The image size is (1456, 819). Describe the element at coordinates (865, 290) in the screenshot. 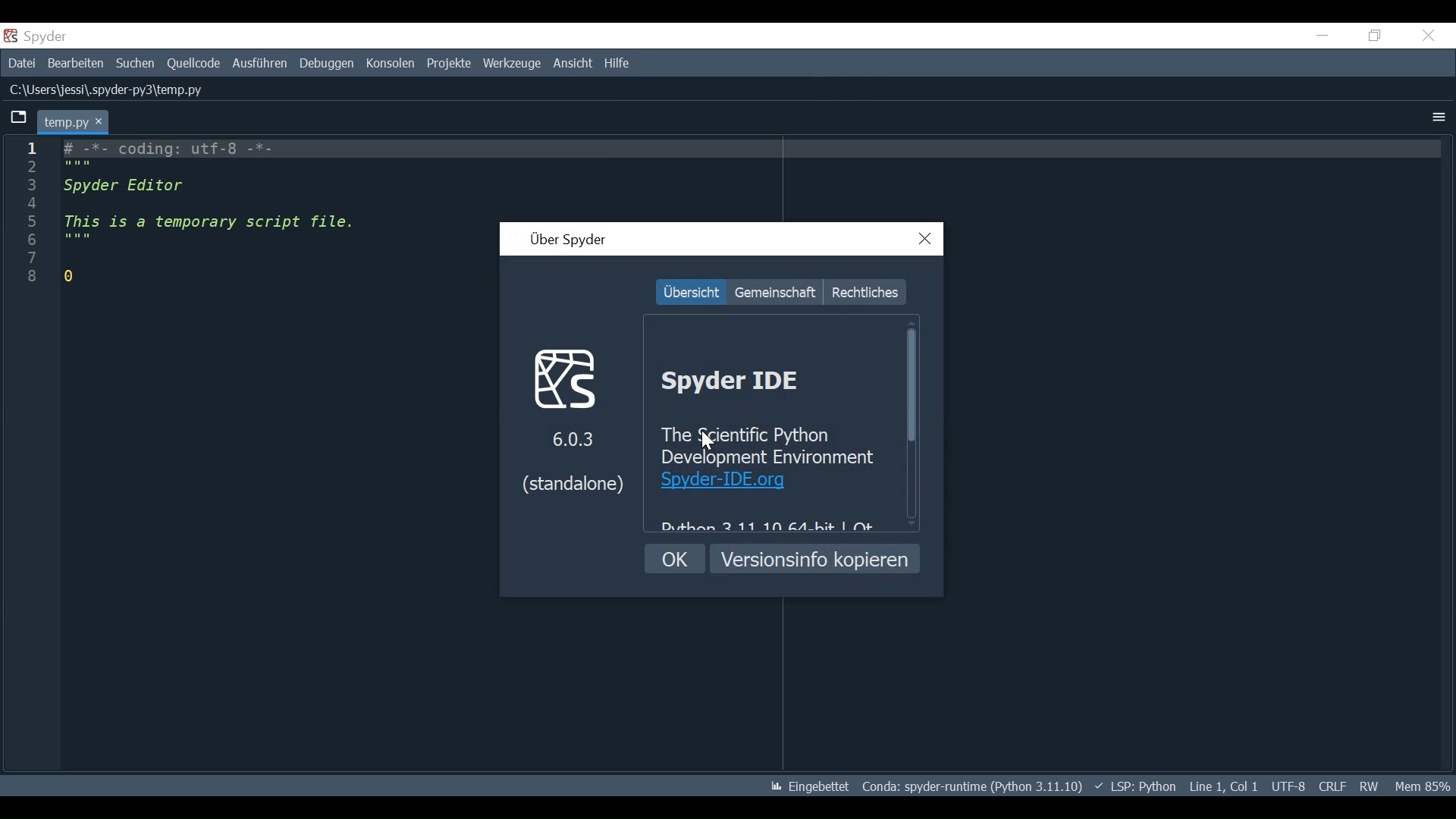

I see `Legal` at that location.